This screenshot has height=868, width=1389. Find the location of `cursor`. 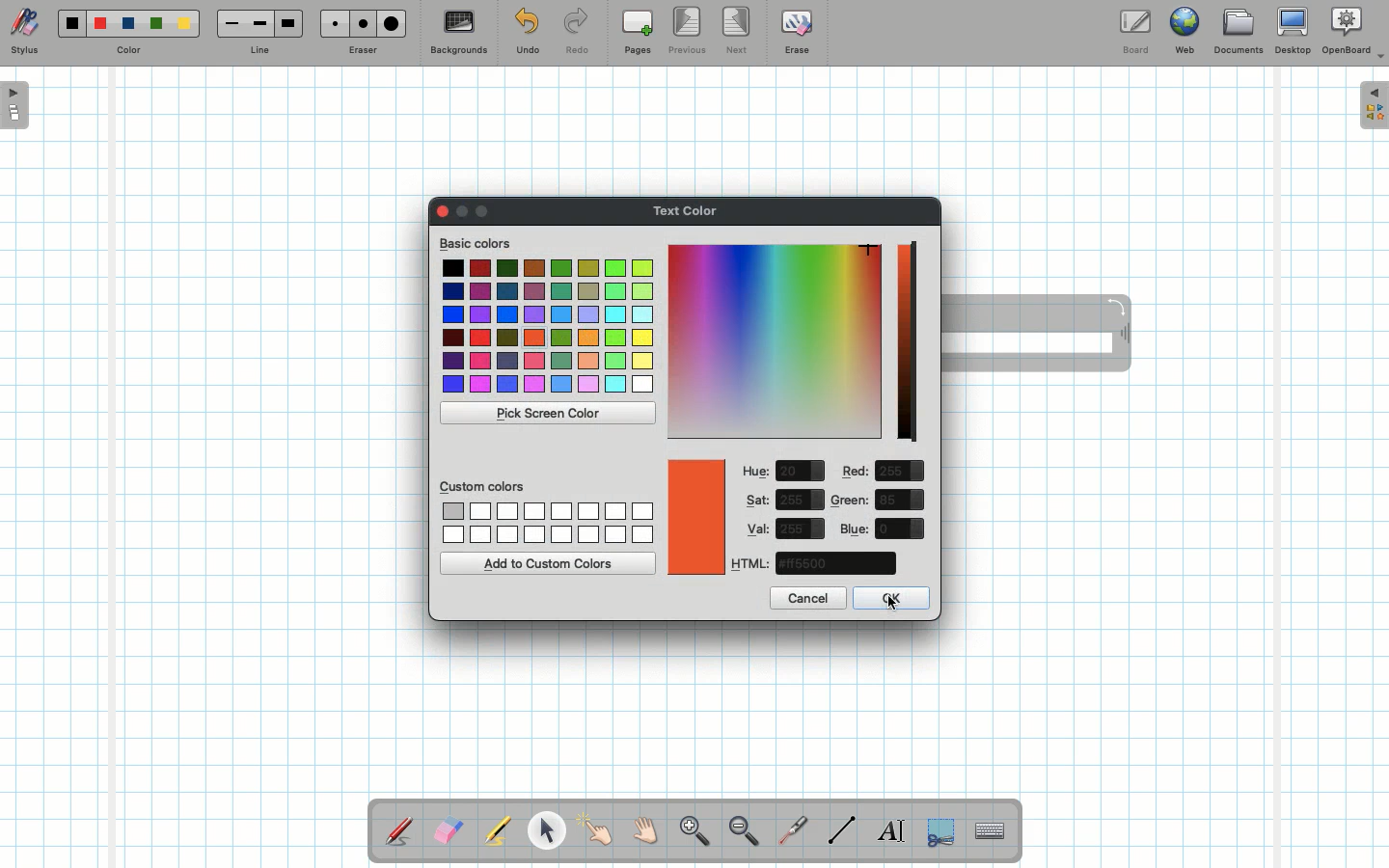

cursor is located at coordinates (893, 604).